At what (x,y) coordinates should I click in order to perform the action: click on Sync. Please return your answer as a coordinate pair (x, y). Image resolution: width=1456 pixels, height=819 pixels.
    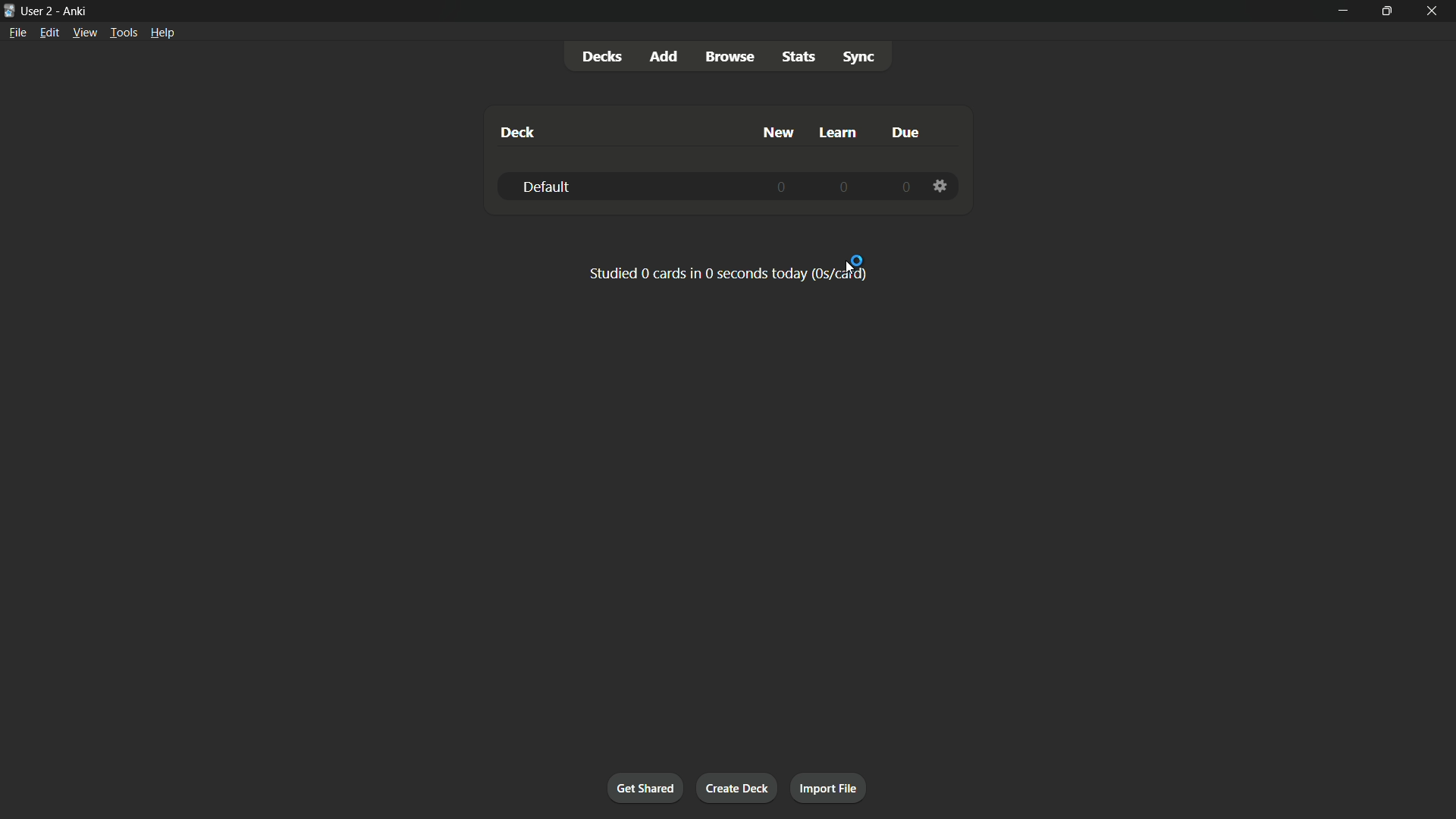
    Looking at the image, I should click on (859, 57).